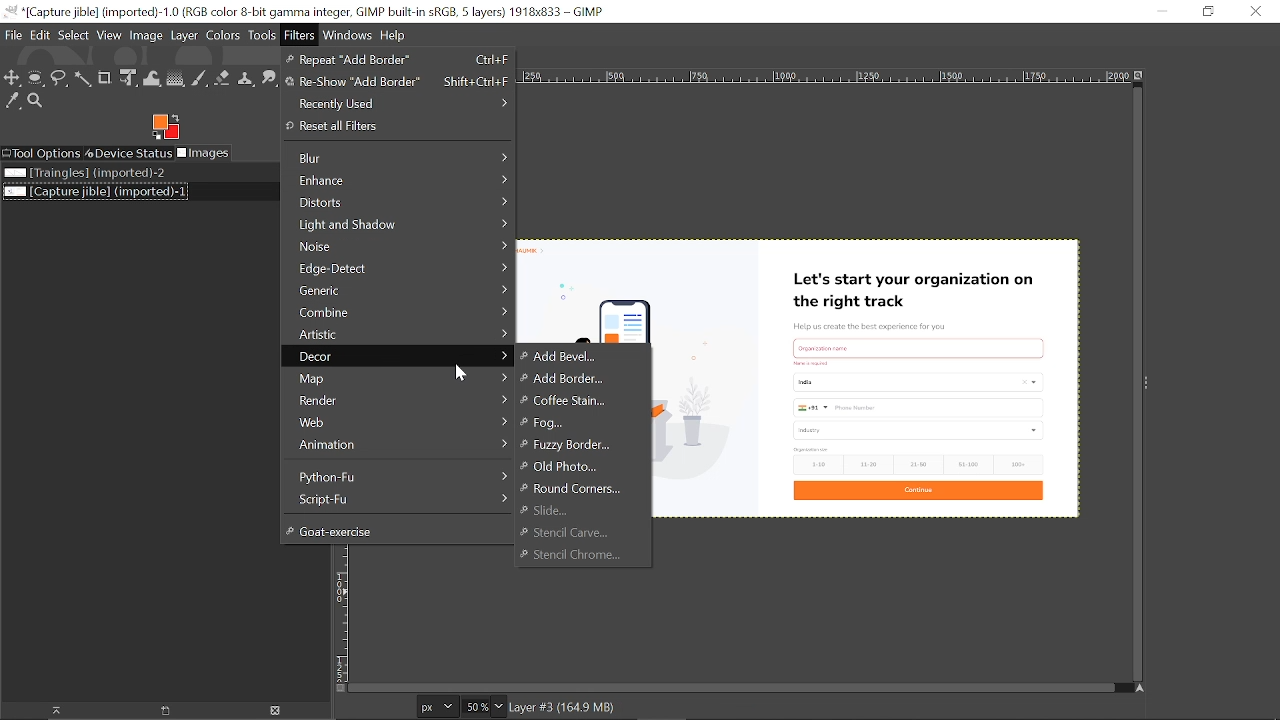 The height and width of the screenshot is (720, 1280). What do you see at coordinates (877, 323) in the screenshot?
I see `Help us  create the best experience for you.` at bounding box center [877, 323].